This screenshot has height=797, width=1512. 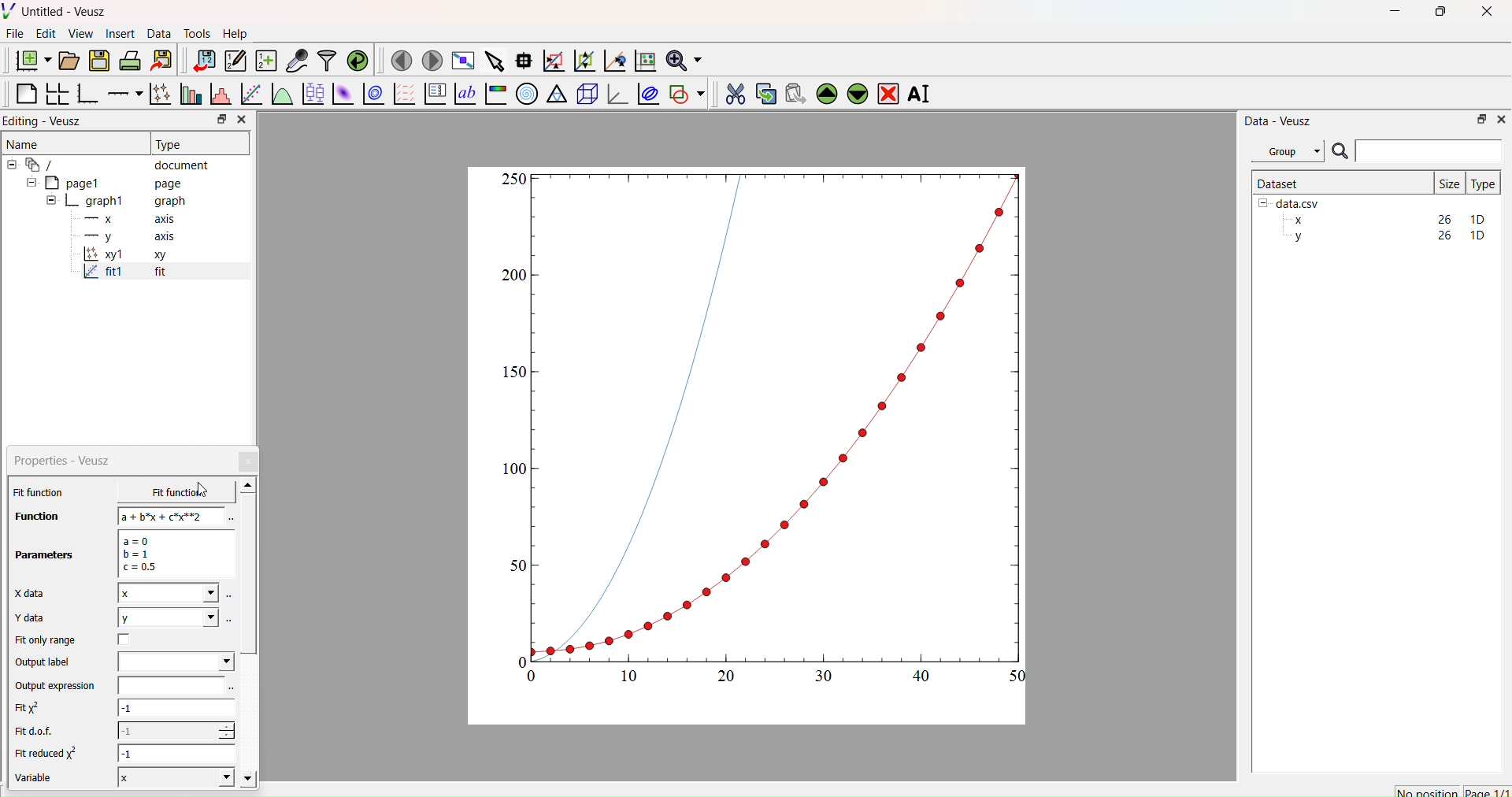 I want to click on Zoom out of graph axis, so click(x=583, y=59).